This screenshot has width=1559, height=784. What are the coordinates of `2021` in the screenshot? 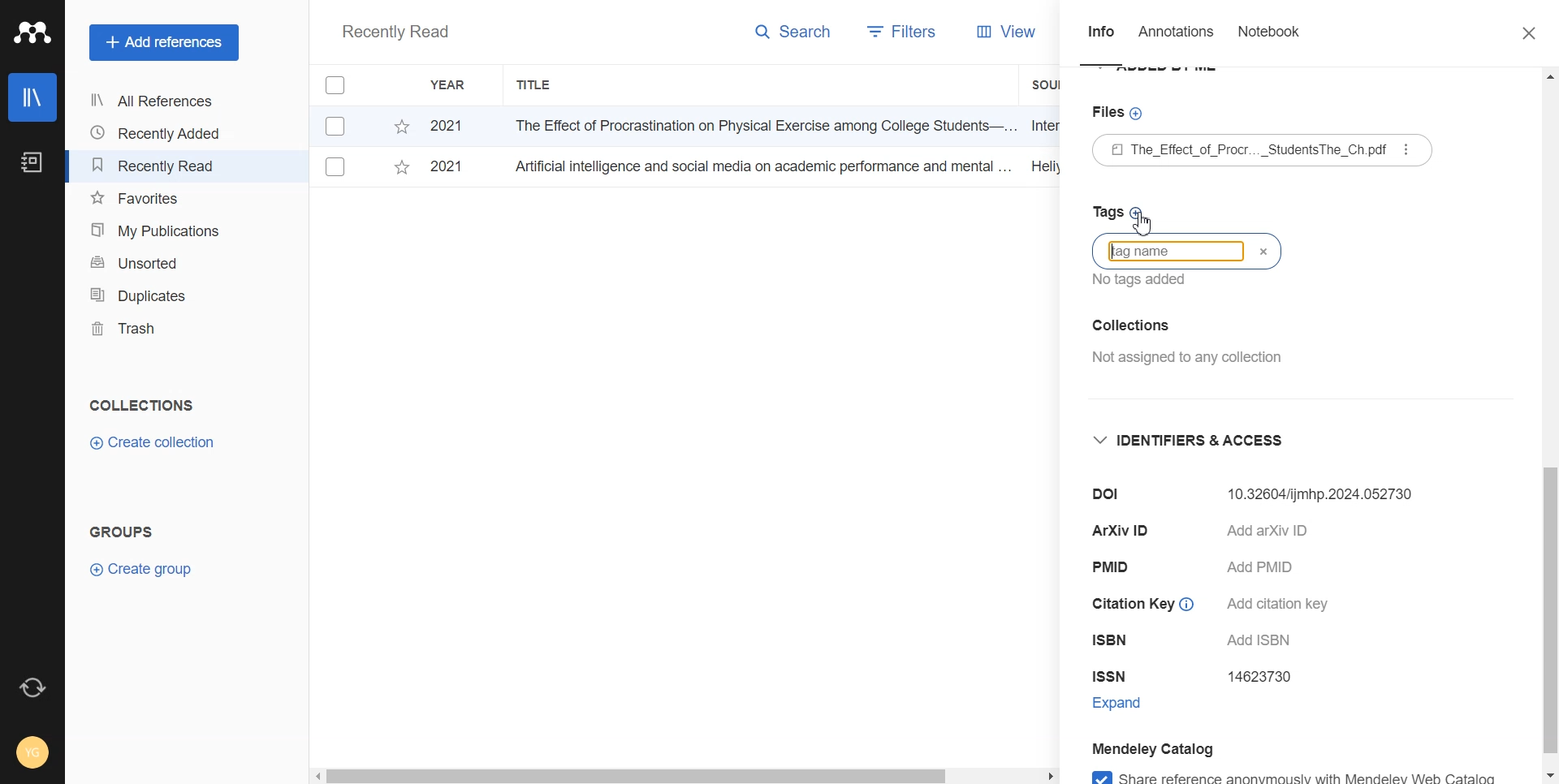 It's located at (447, 127).